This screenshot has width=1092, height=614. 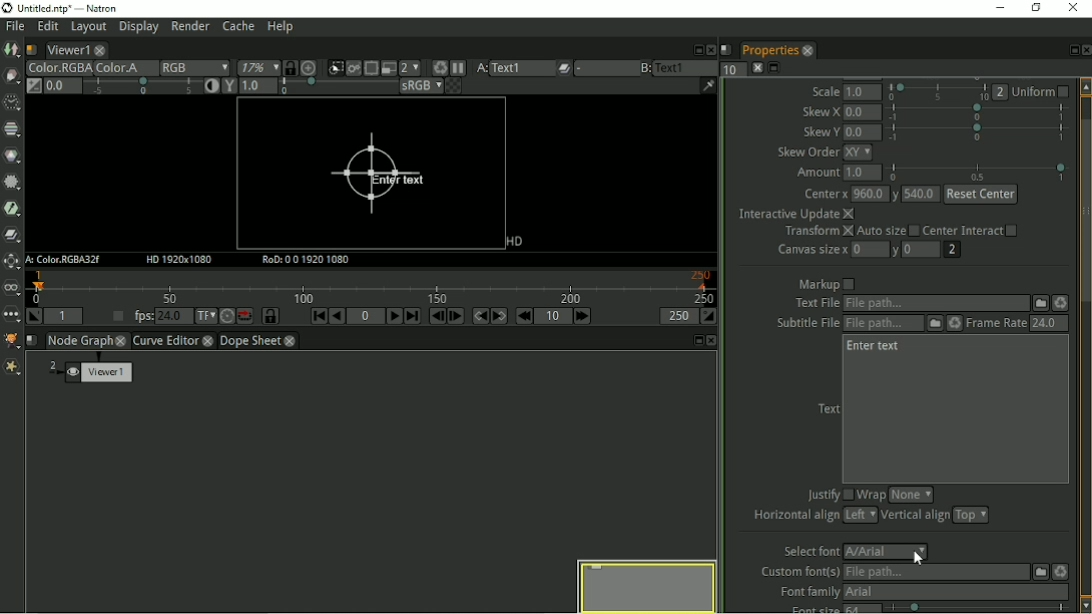 I want to click on Show/hide information bar, so click(x=708, y=85).